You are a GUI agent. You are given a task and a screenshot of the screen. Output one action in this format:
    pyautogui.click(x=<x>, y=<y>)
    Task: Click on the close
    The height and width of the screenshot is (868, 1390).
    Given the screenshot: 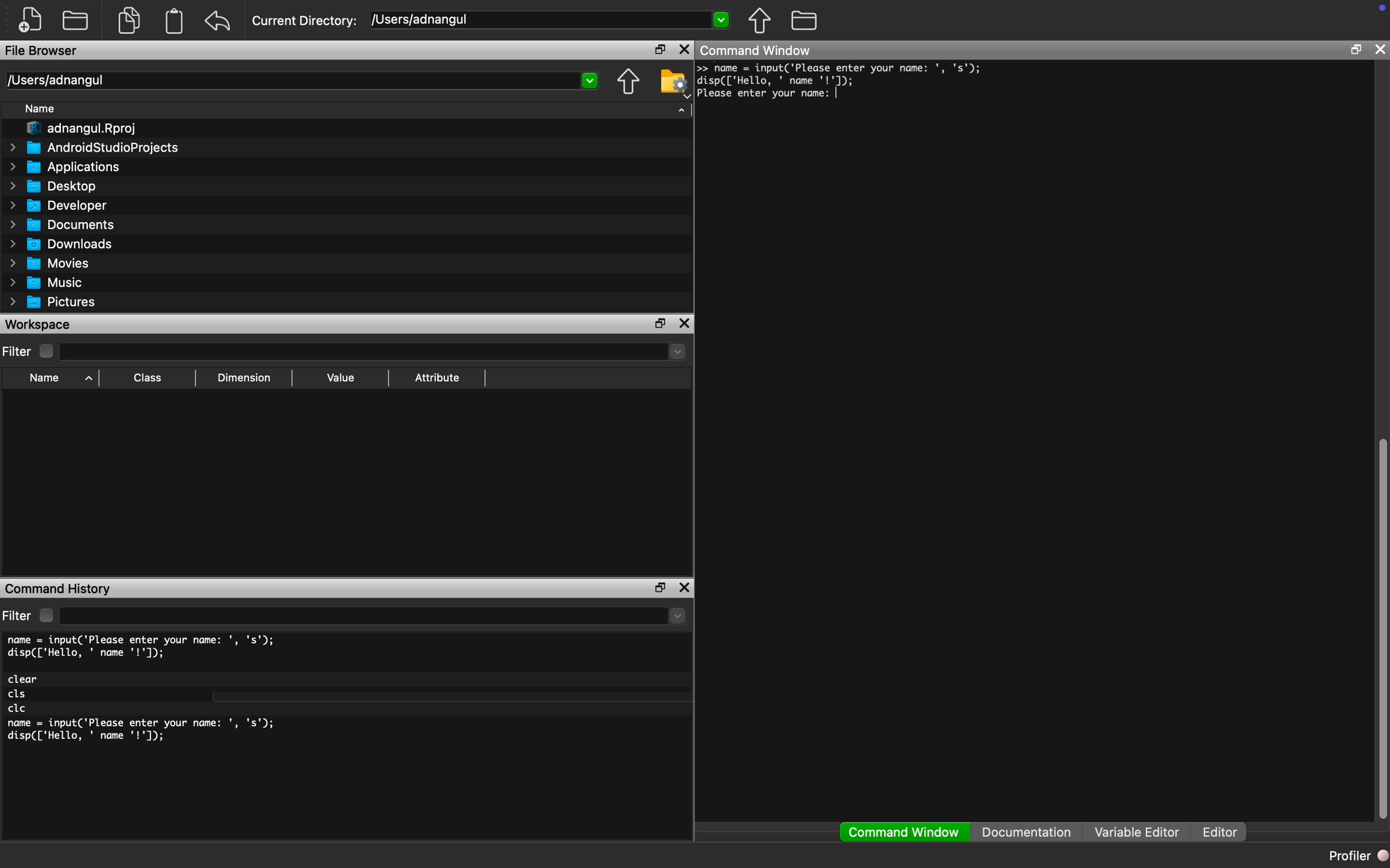 What is the action you would take?
    pyautogui.click(x=684, y=323)
    